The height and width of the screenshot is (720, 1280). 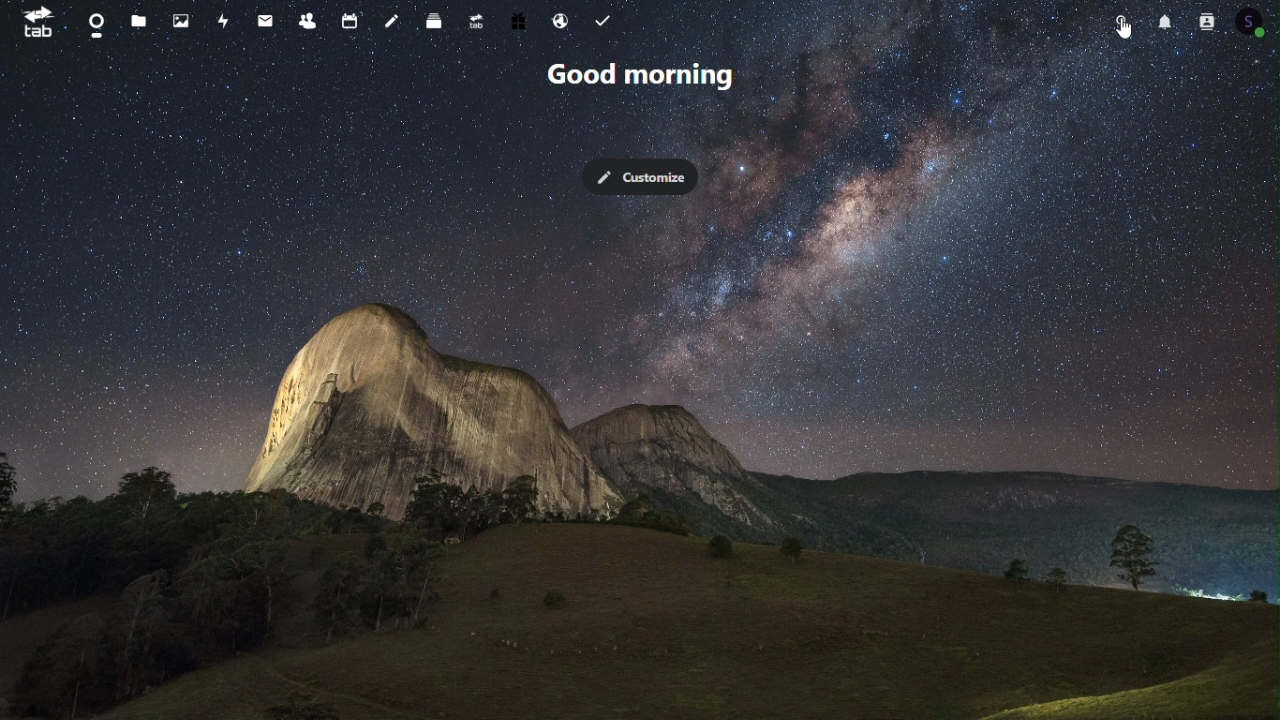 I want to click on Good morning, so click(x=639, y=74).